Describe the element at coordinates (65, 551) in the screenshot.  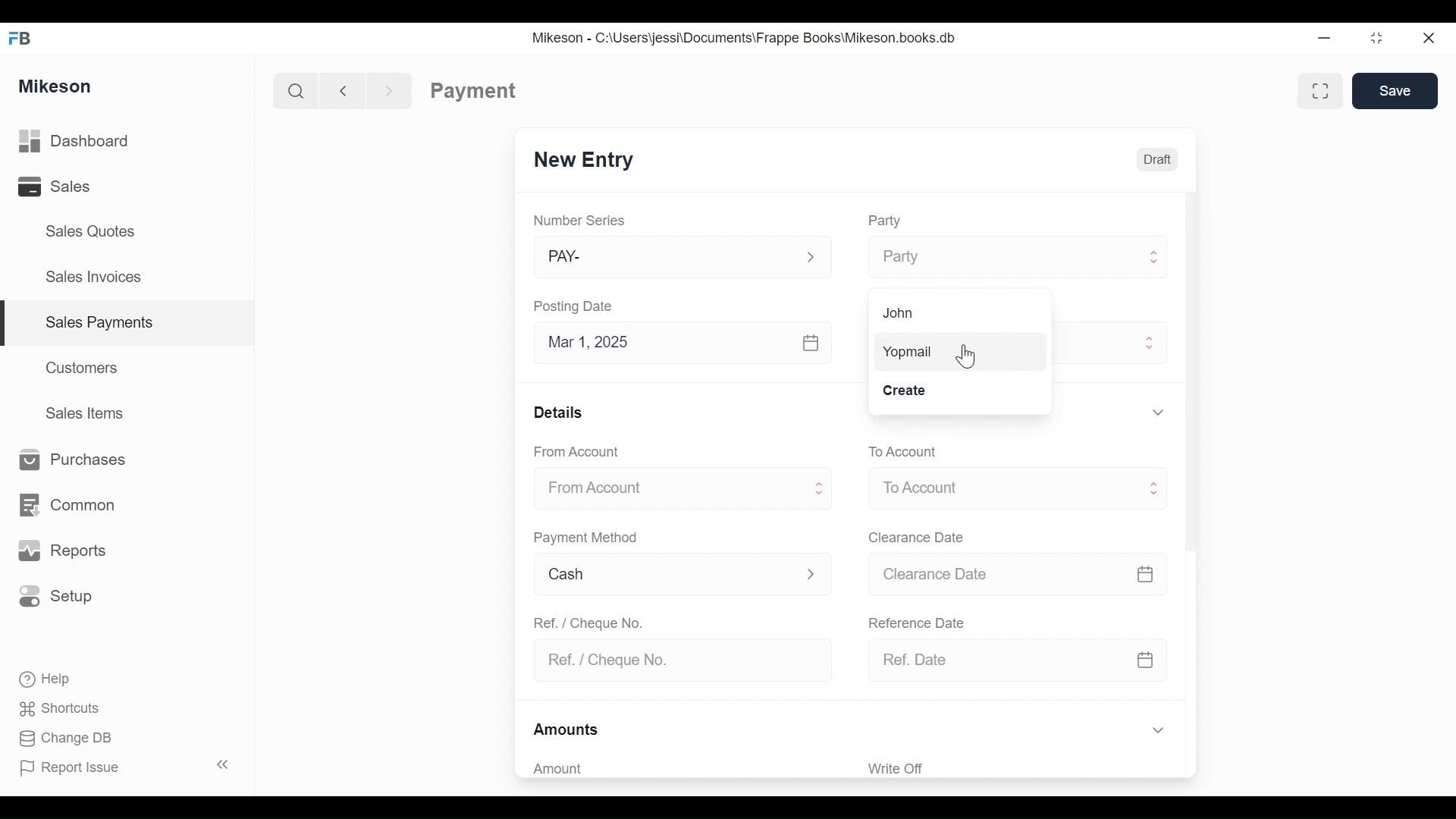
I see `Reports` at that location.